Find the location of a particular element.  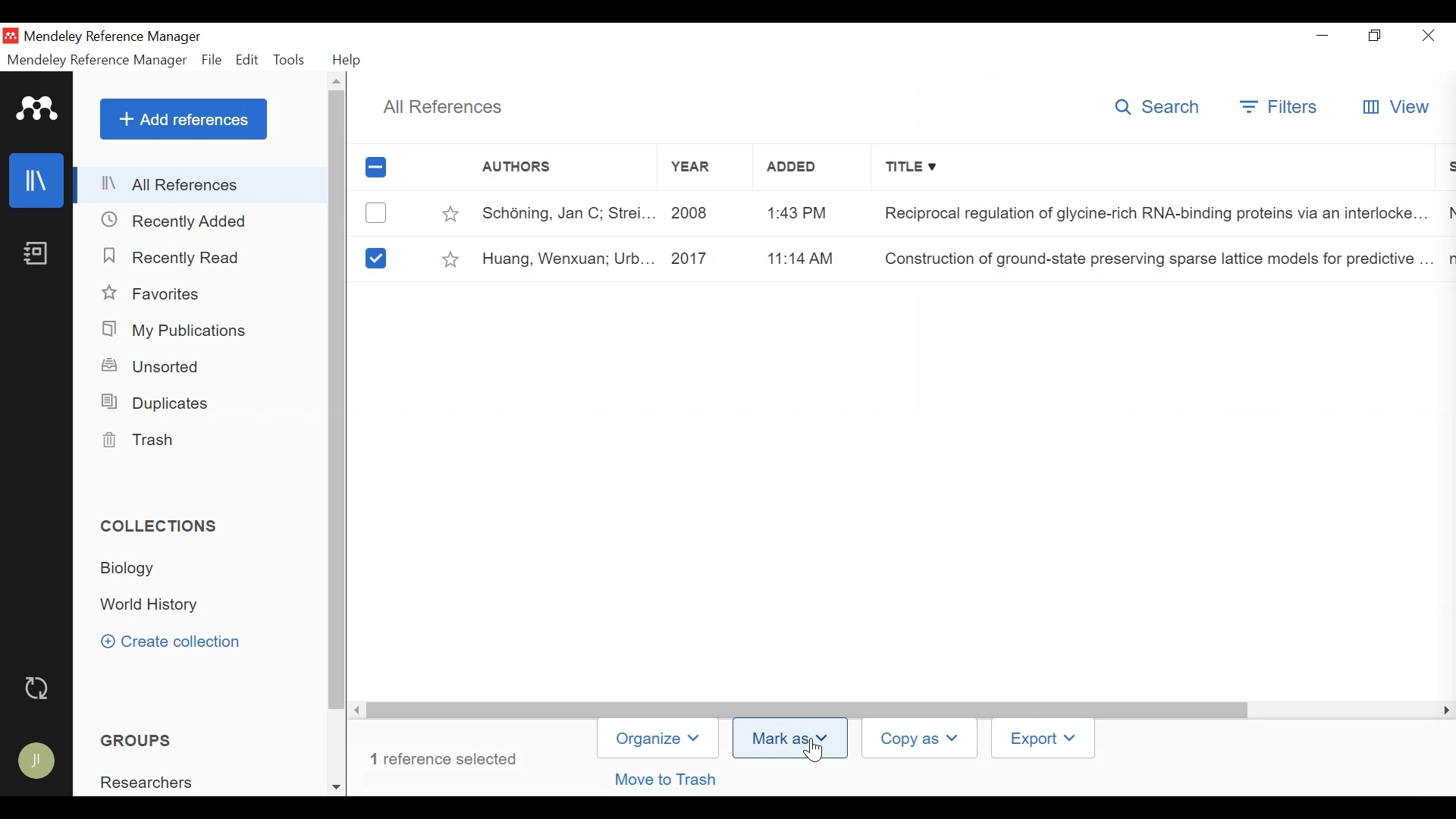

Trash is located at coordinates (143, 441).